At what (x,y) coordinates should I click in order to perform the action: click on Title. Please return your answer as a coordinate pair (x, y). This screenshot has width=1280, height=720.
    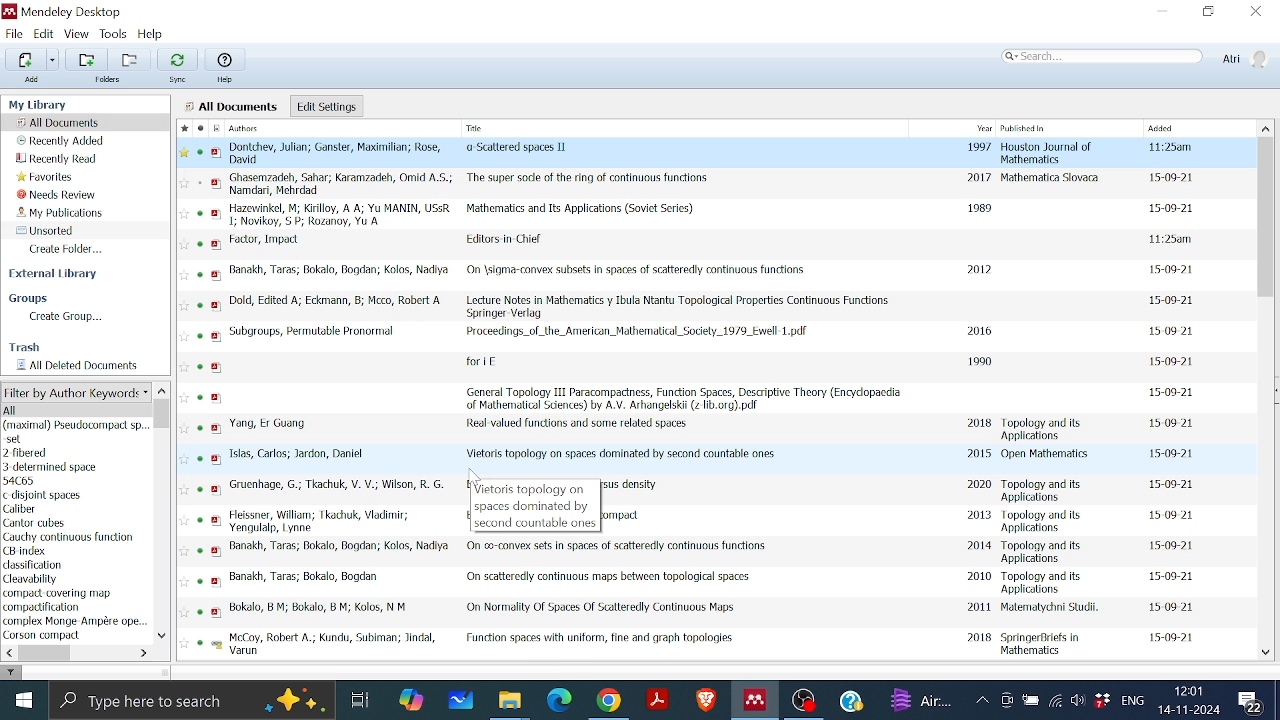
    Looking at the image, I should click on (637, 271).